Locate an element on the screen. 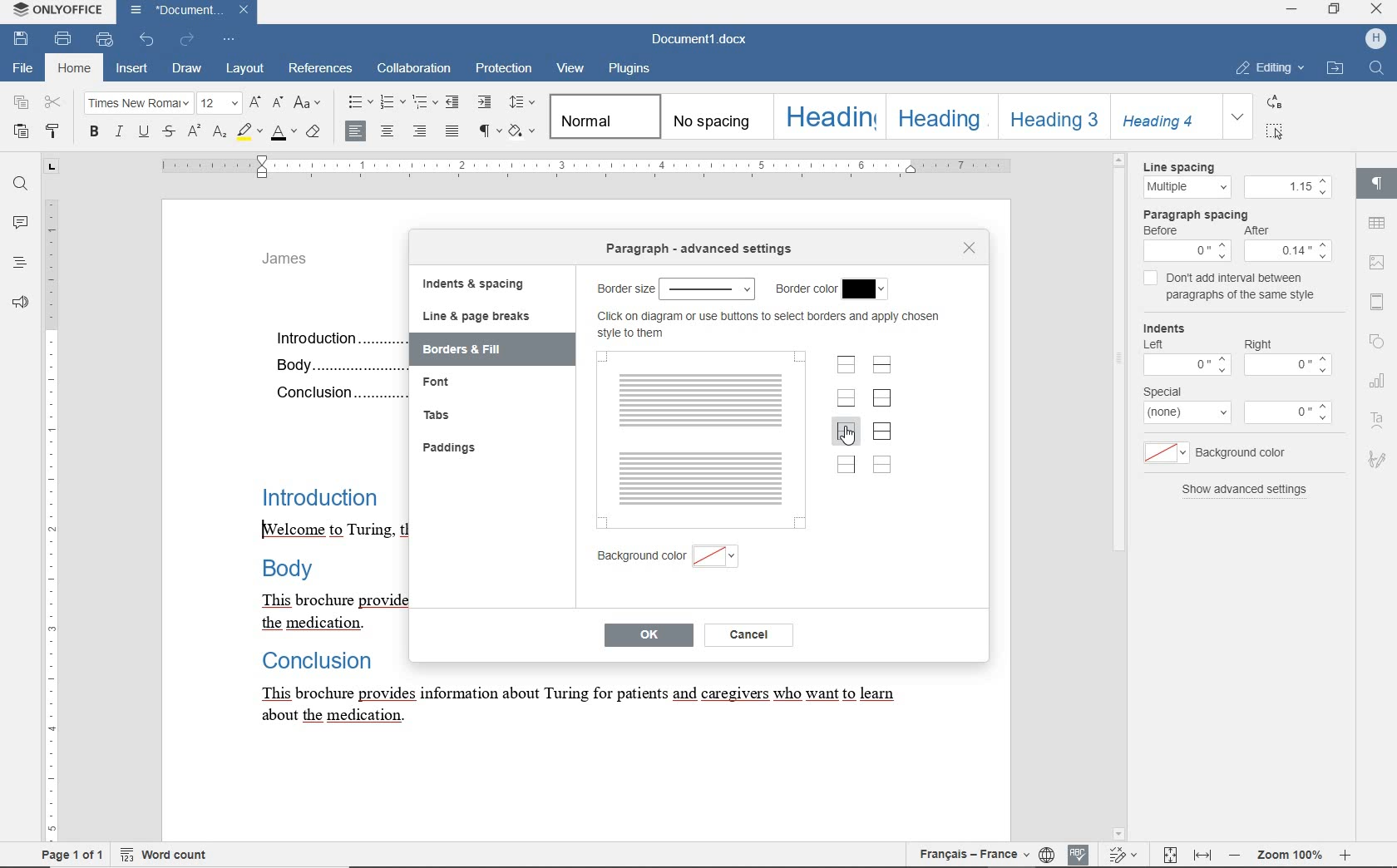 This screenshot has width=1397, height=868. Word count is located at coordinates (163, 855).